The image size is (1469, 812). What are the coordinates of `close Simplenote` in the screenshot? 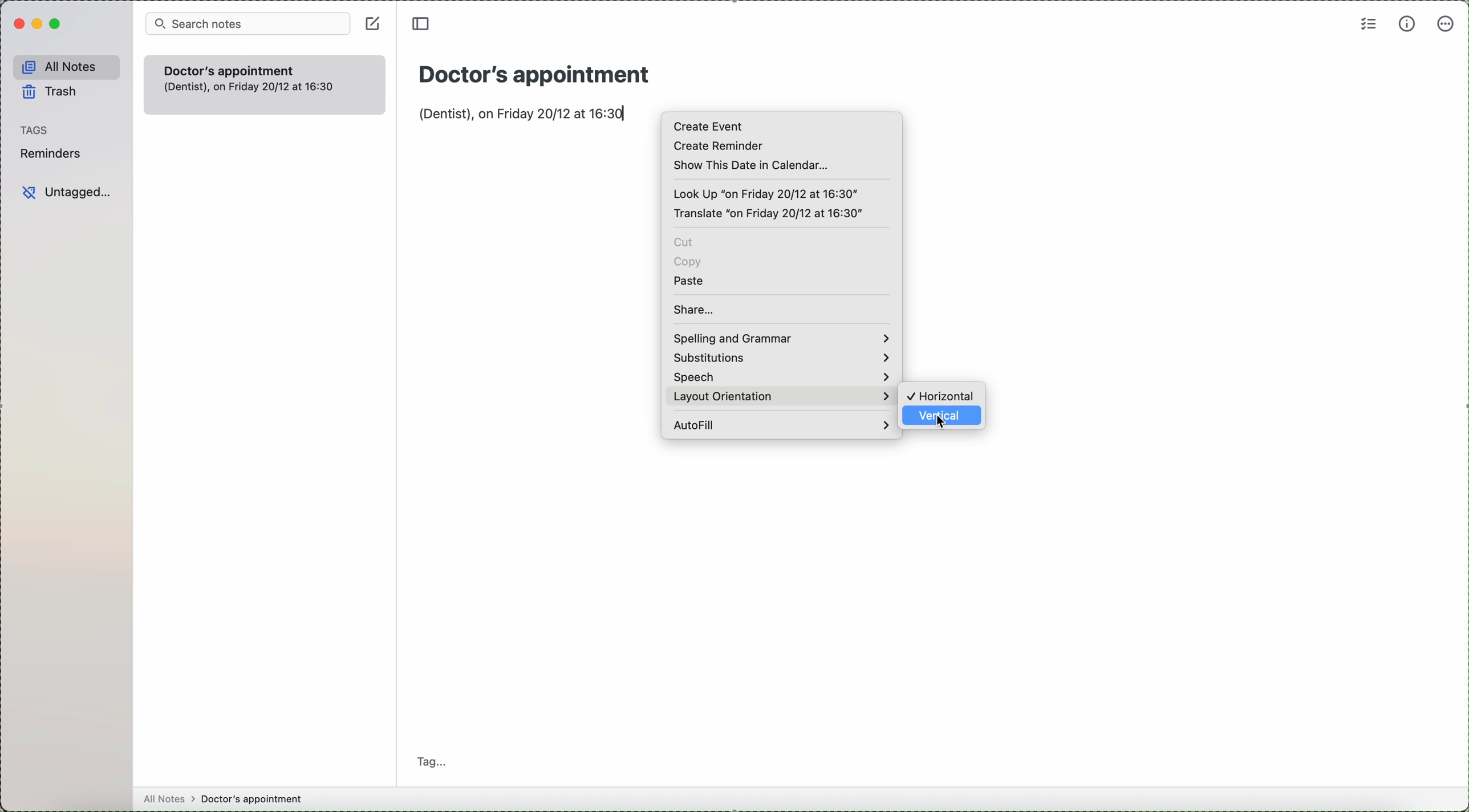 It's located at (15, 23).